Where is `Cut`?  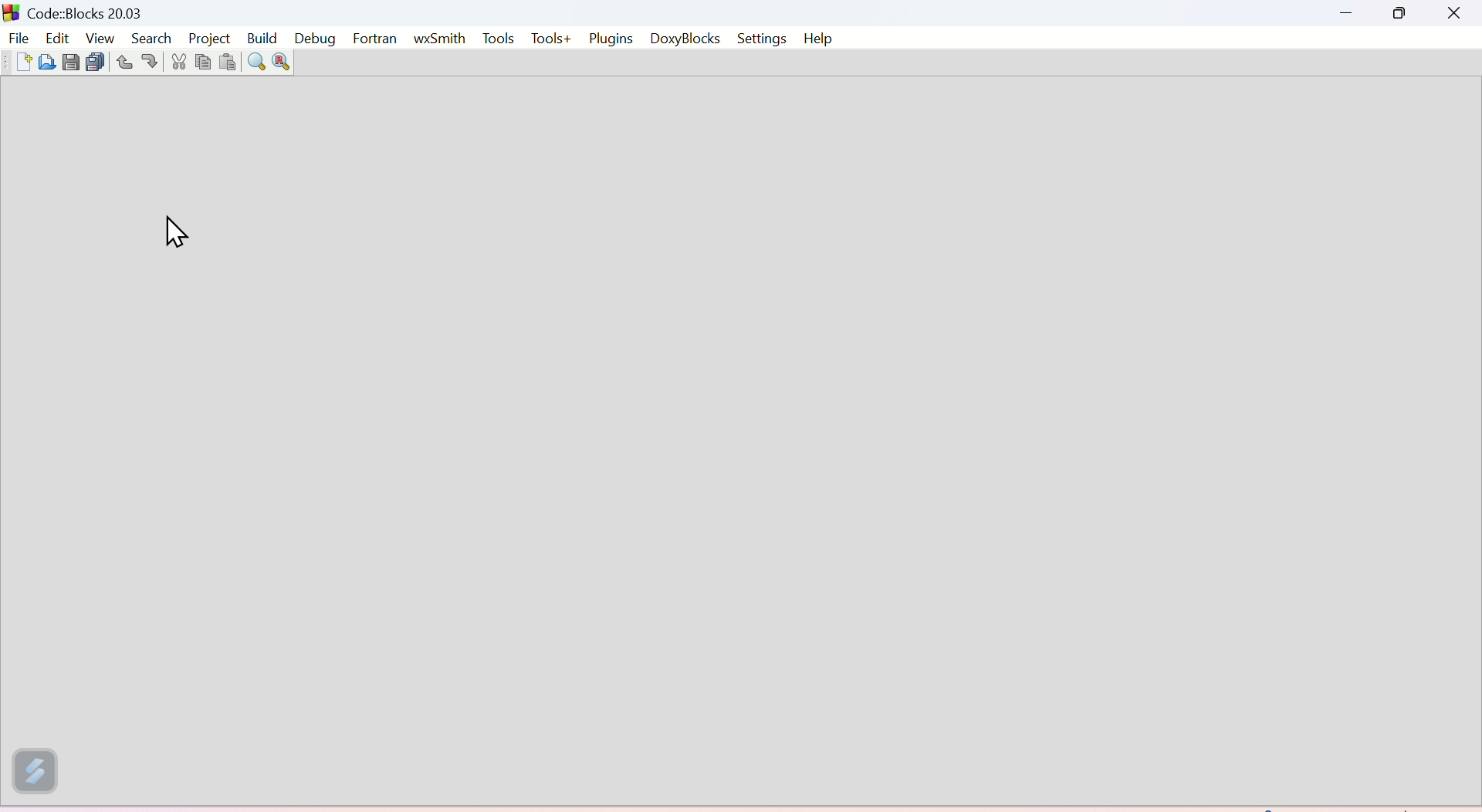 Cut is located at coordinates (177, 64).